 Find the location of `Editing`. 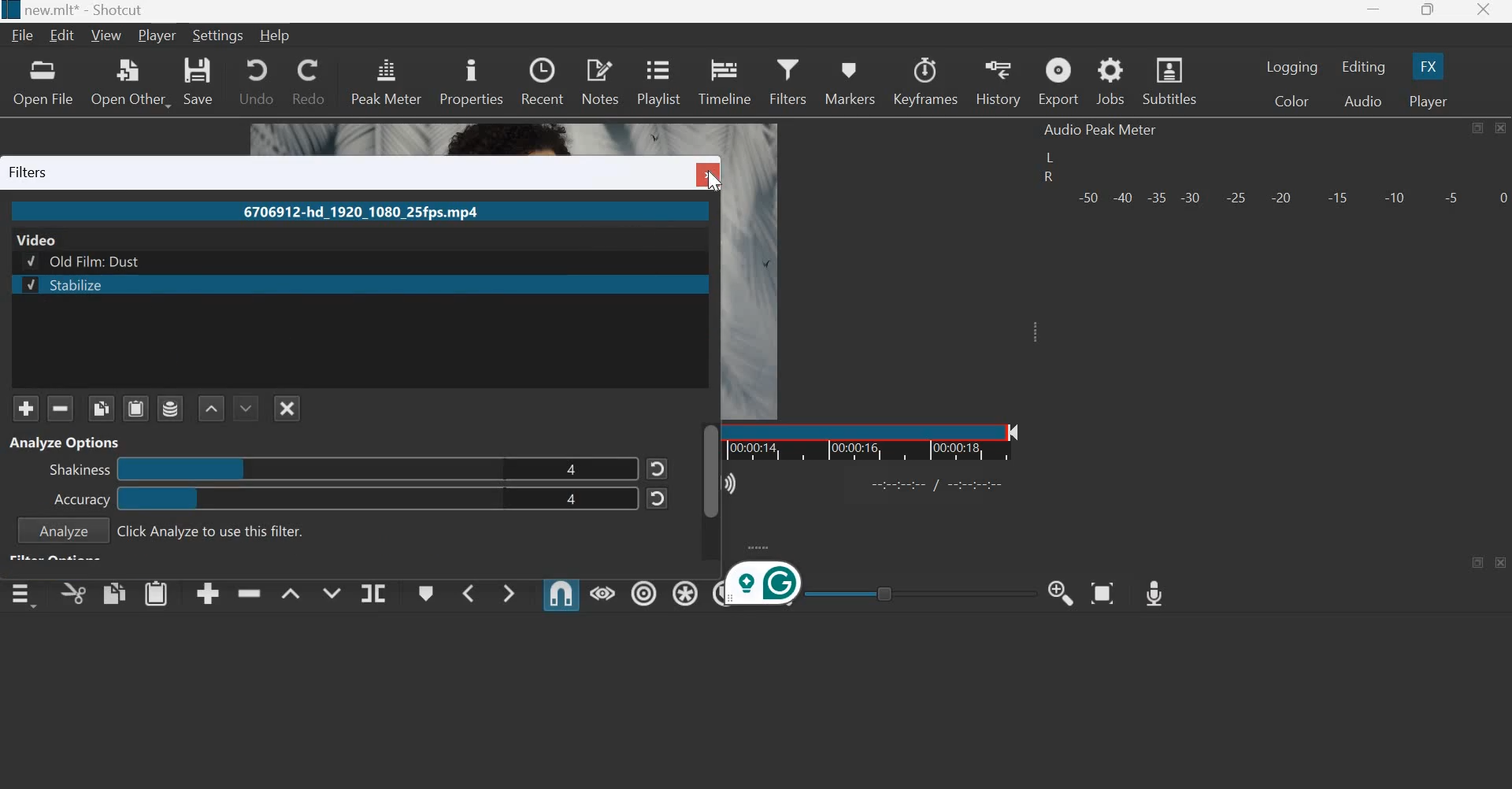

Editing is located at coordinates (1362, 67).